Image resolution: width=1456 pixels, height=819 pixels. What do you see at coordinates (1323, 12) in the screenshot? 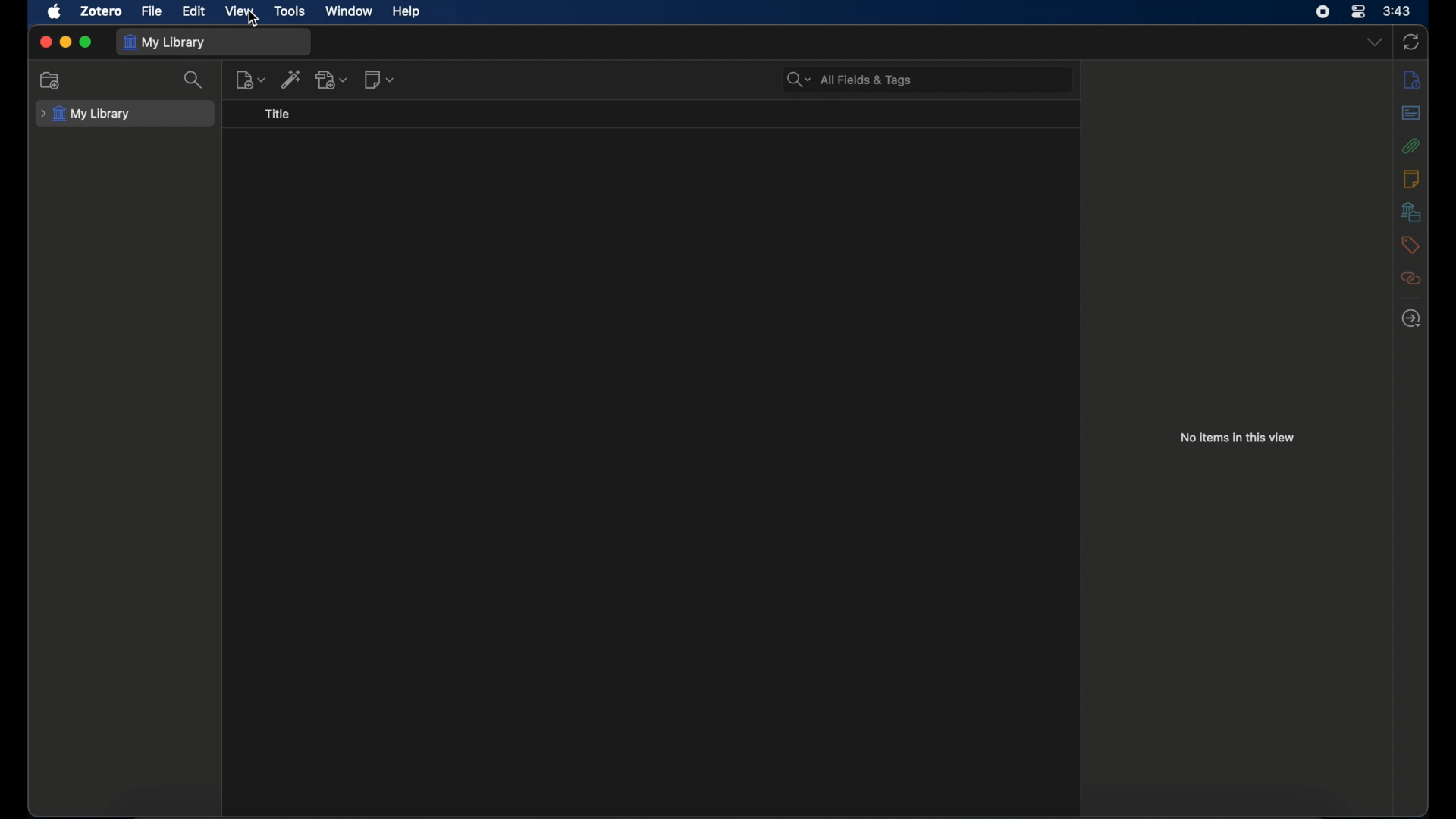
I see `screen recorder` at bounding box center [1323, 12].